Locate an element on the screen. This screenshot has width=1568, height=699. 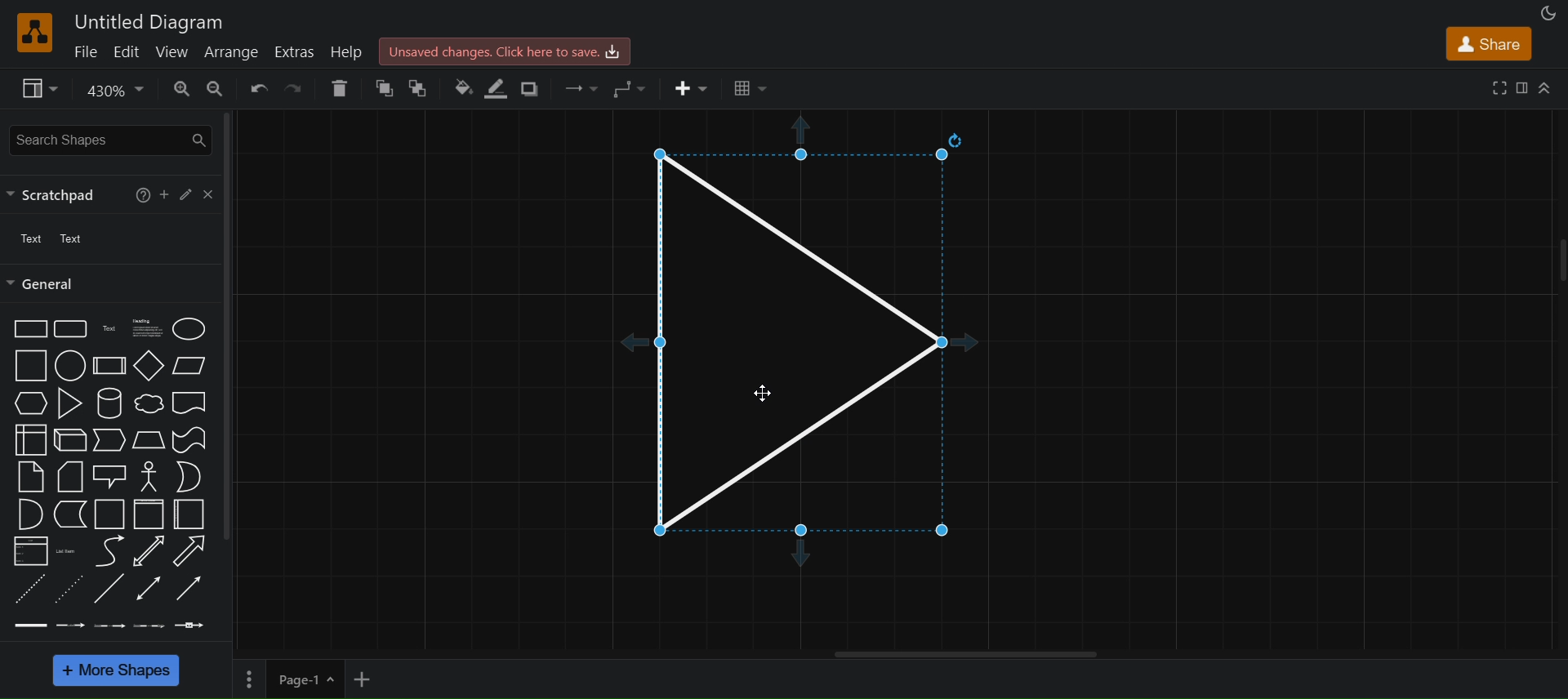
add is located at coordinates (165, 192).